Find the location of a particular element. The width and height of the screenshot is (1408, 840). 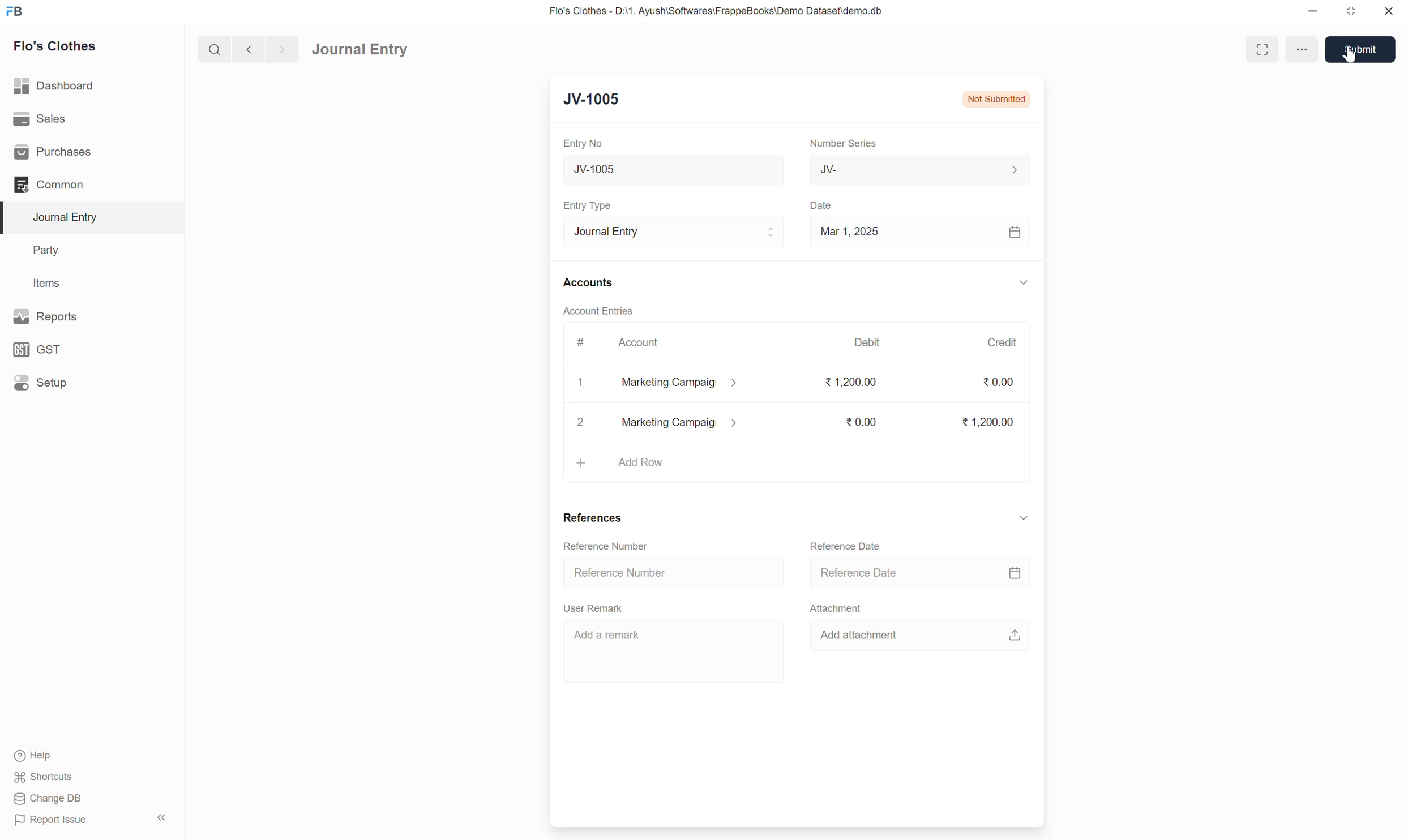

# is located at coordinates (581, 342).